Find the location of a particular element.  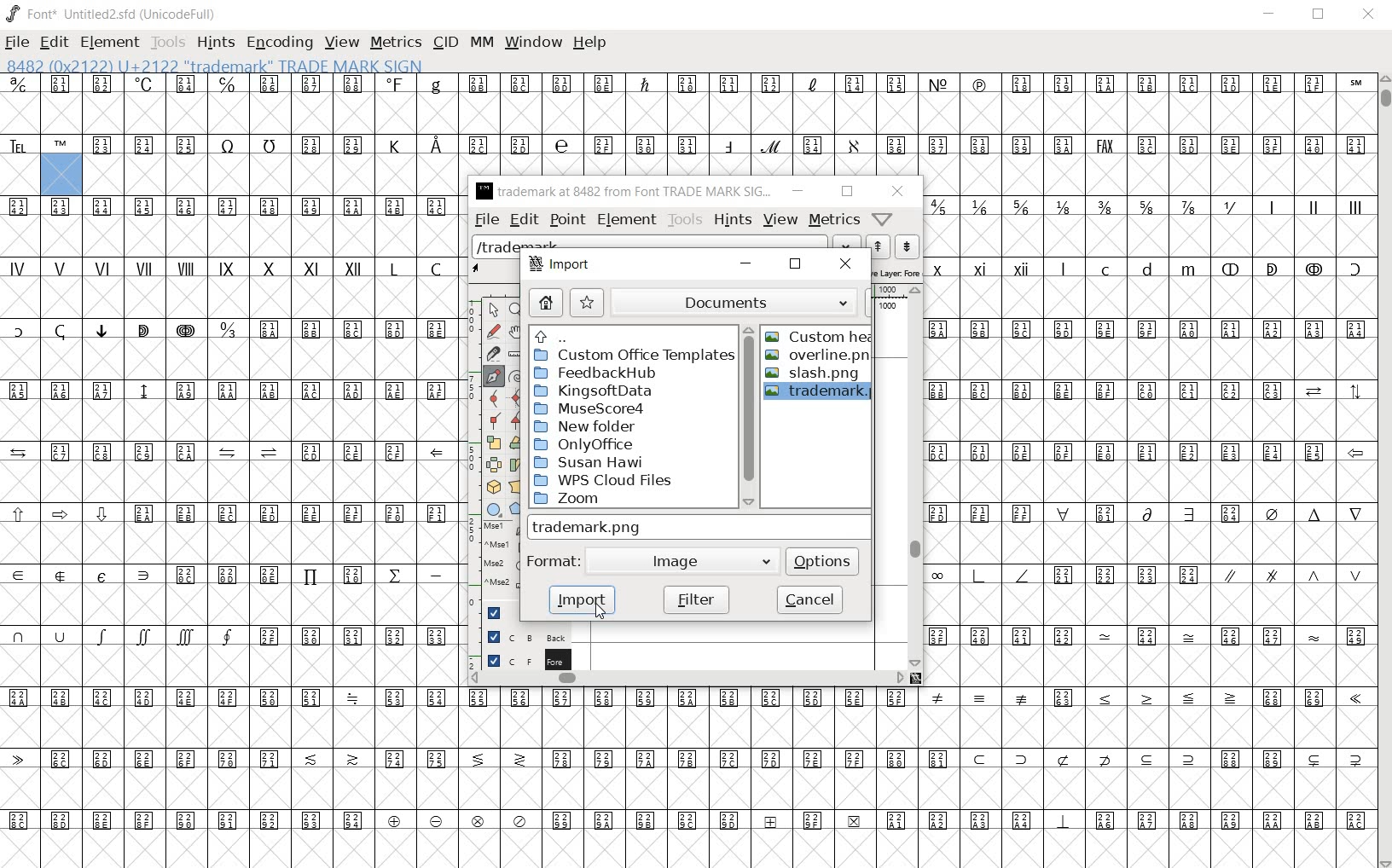

symbol is located at coordinates (234, 225).